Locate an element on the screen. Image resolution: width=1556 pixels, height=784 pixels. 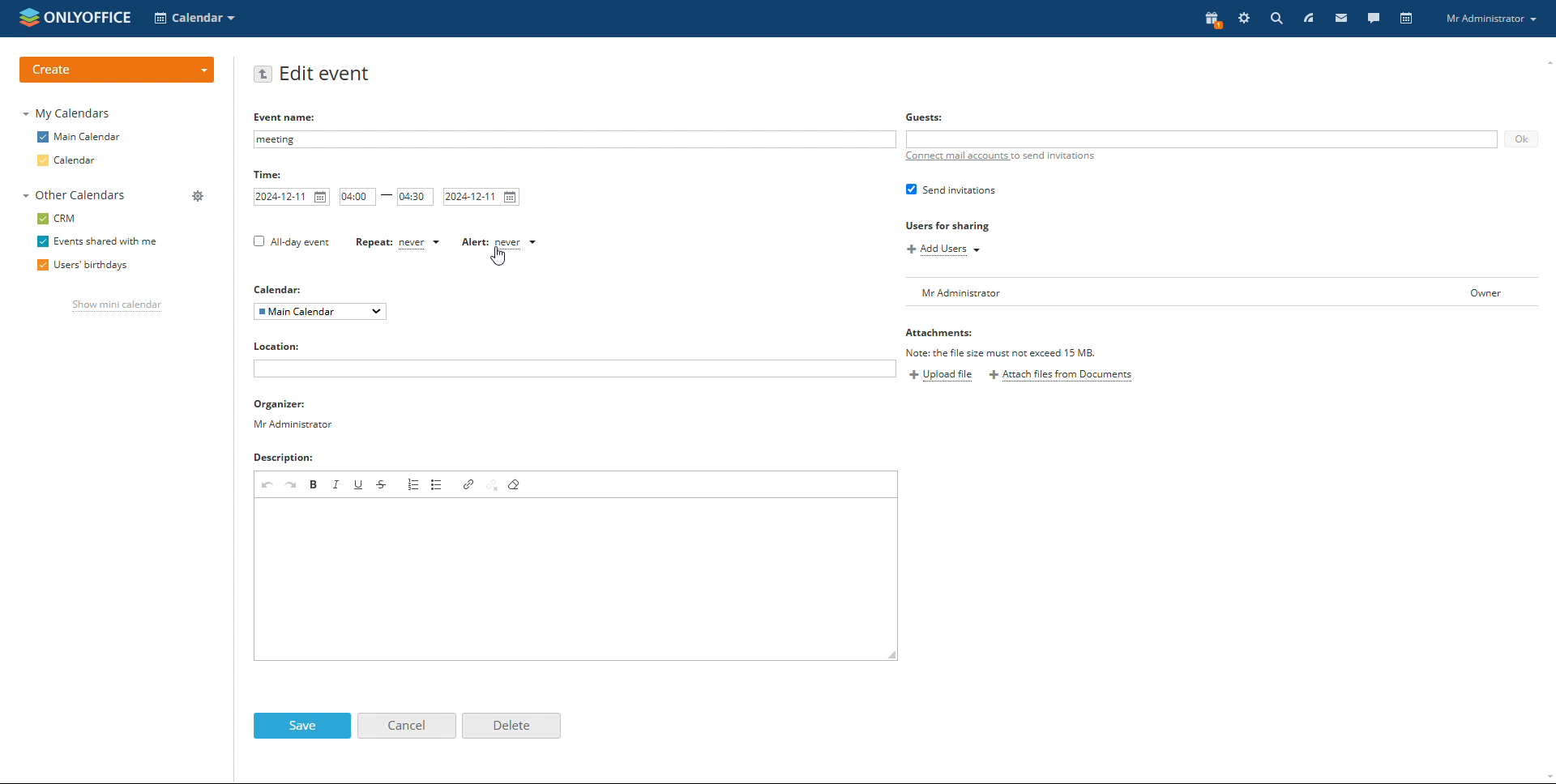
note: the file must not exceed 15 mB is located at coordinates (1006, 352).